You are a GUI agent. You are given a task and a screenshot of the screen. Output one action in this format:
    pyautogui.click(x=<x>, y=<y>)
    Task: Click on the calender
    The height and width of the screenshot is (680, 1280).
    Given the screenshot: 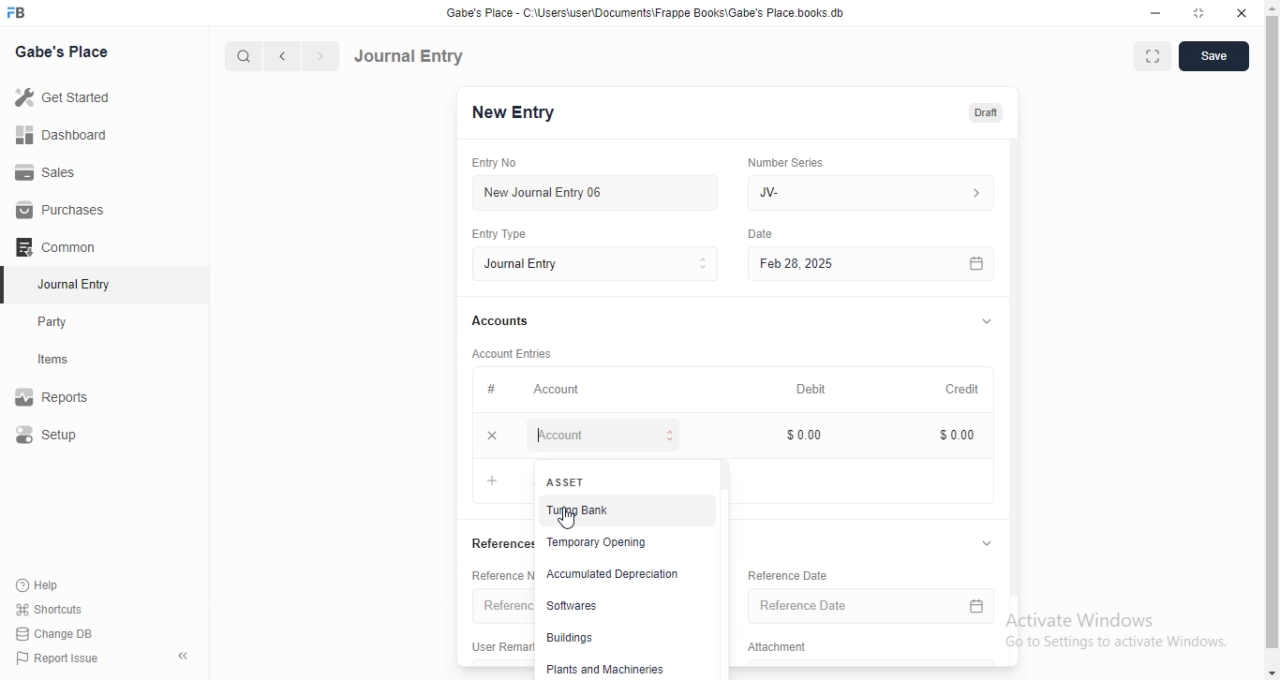 What is the action you would take?
    pyautogui.click(x=985, y=609)
    